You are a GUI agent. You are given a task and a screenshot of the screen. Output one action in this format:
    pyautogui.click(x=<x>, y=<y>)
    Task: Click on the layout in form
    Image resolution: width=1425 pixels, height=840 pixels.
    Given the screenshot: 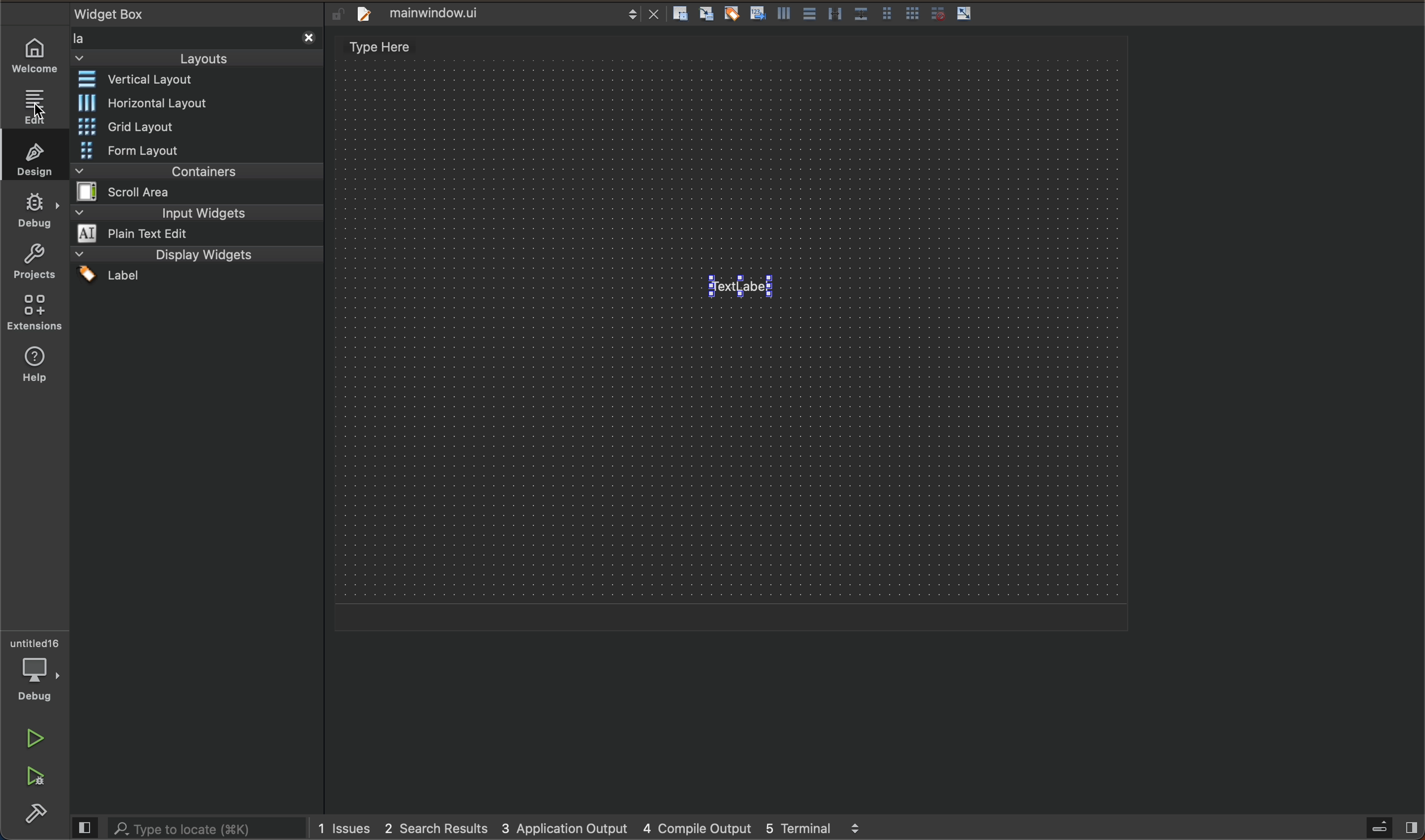 What is the action you would take?
    pyautogui.click(x=889, y=14)
    